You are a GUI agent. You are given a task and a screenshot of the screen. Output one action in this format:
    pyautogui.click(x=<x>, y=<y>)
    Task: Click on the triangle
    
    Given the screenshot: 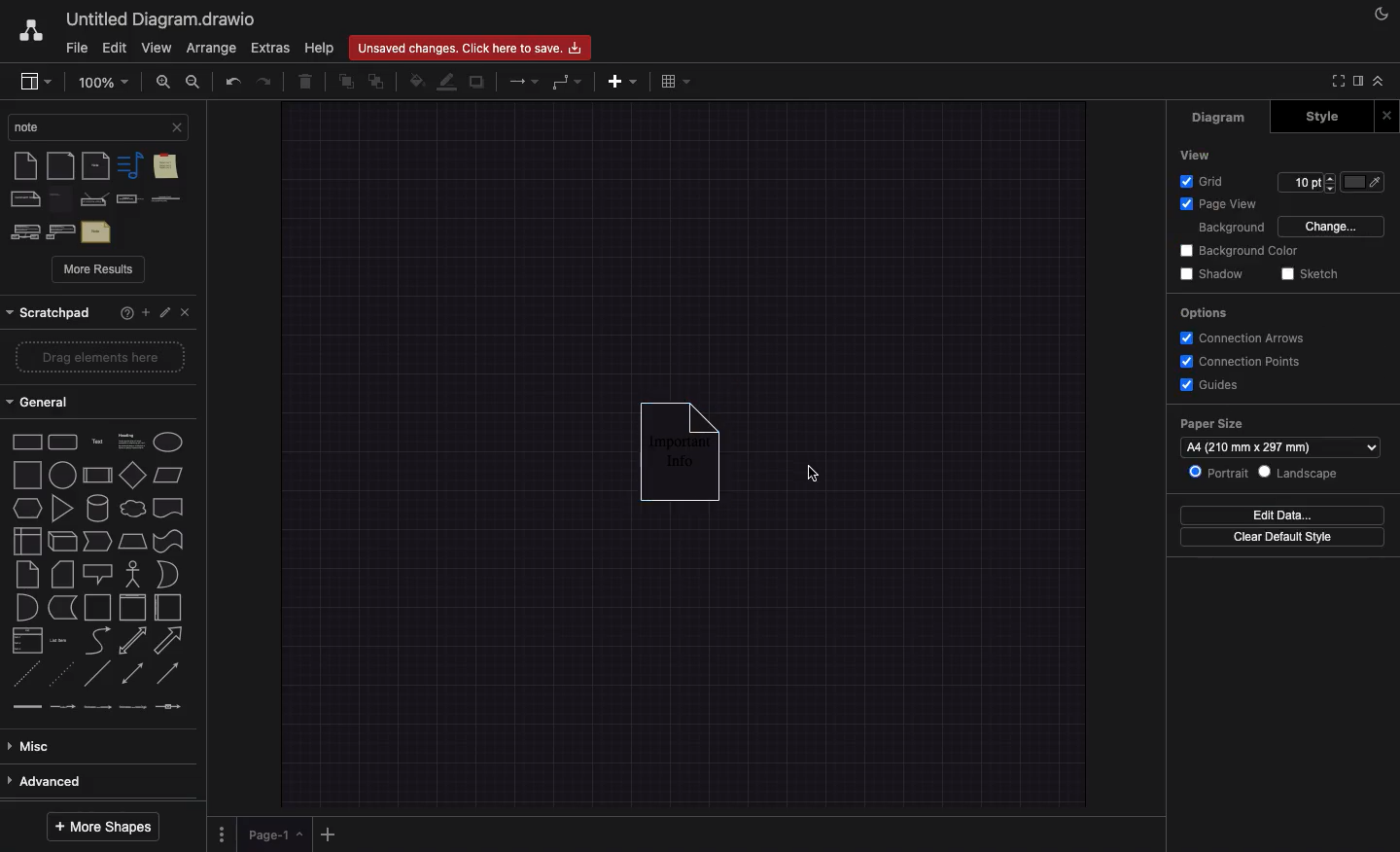 What is the action you would take?
    pyautogui.click(x=65, y=510)
    